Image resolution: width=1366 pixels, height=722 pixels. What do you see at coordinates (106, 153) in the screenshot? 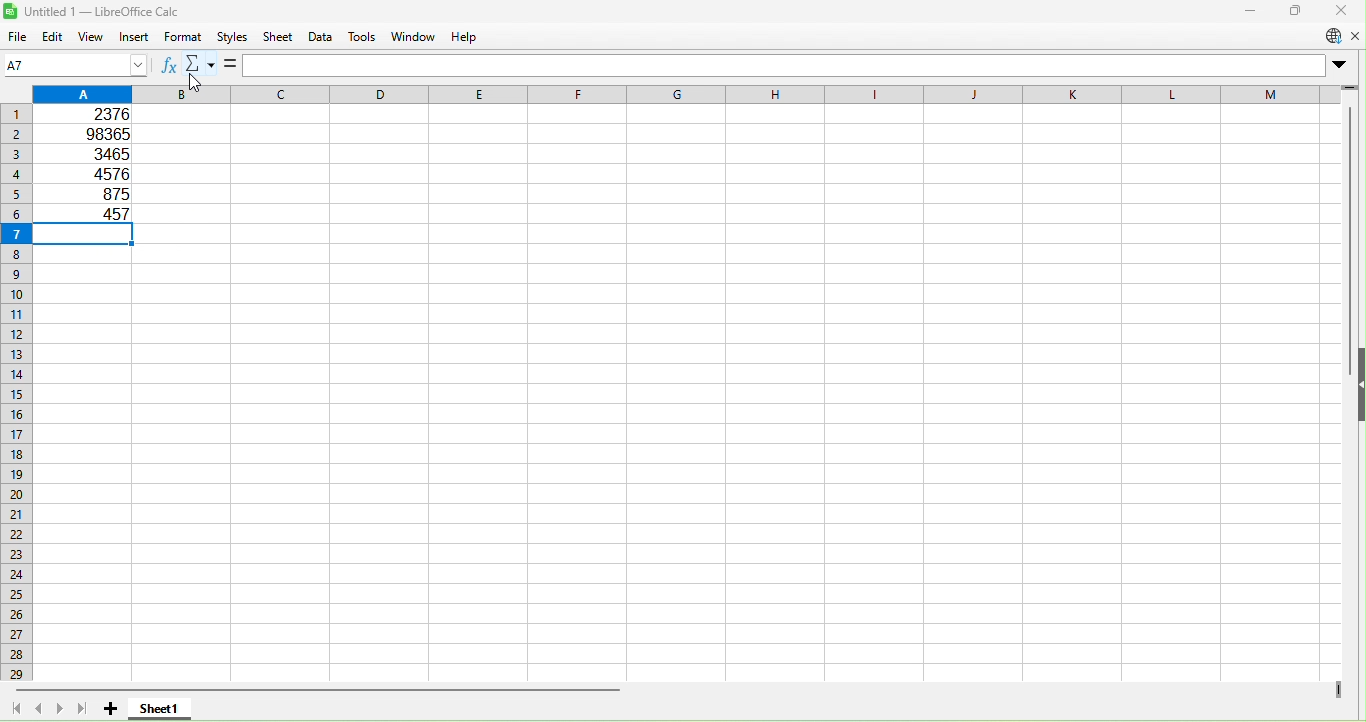
I see `3465` at bounding box center [106, 153].